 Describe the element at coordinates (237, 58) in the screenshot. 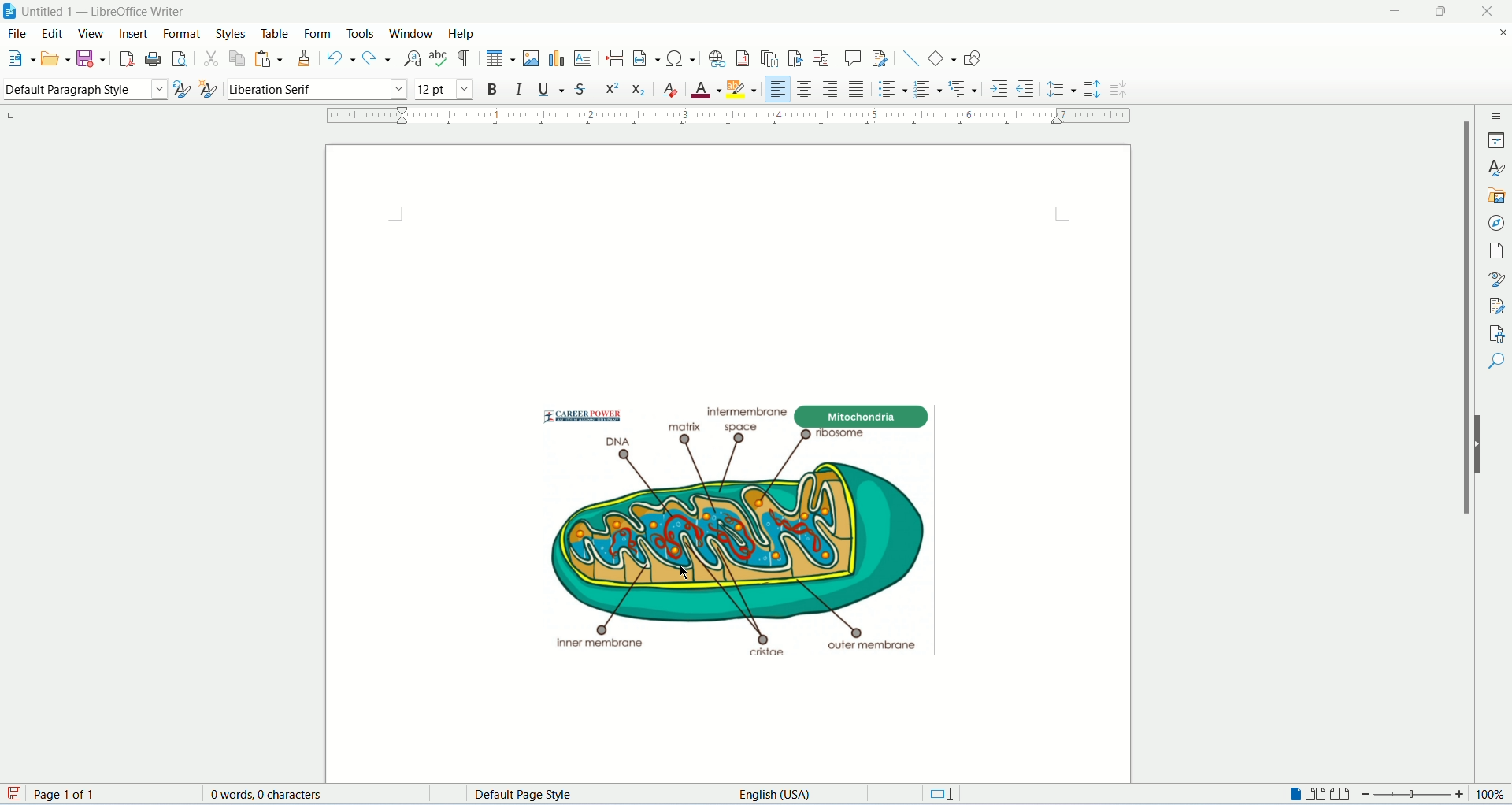

I see `copy` at that location.